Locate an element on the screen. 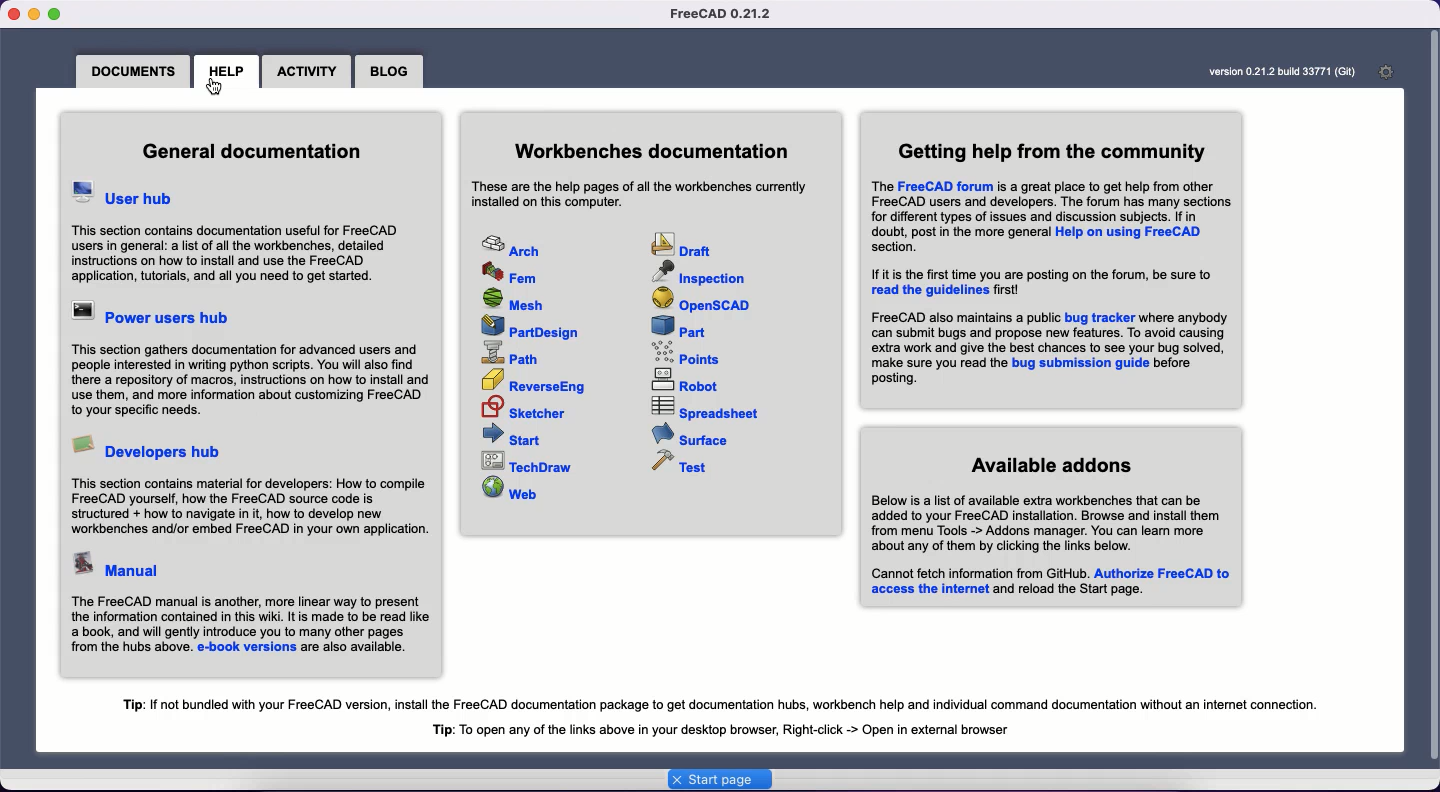  Blog is located at coordinates (389, 70).